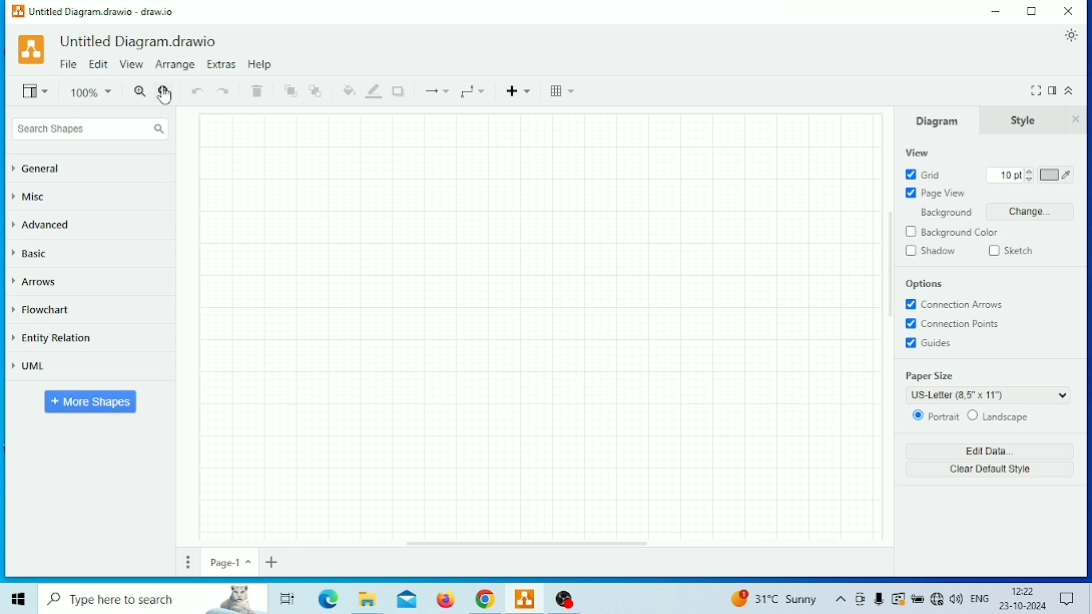 This screenshot has width=1092, height=614. Describe the element at coordinates (541, 325) in the screenshot. I see `Canvas` at that location.